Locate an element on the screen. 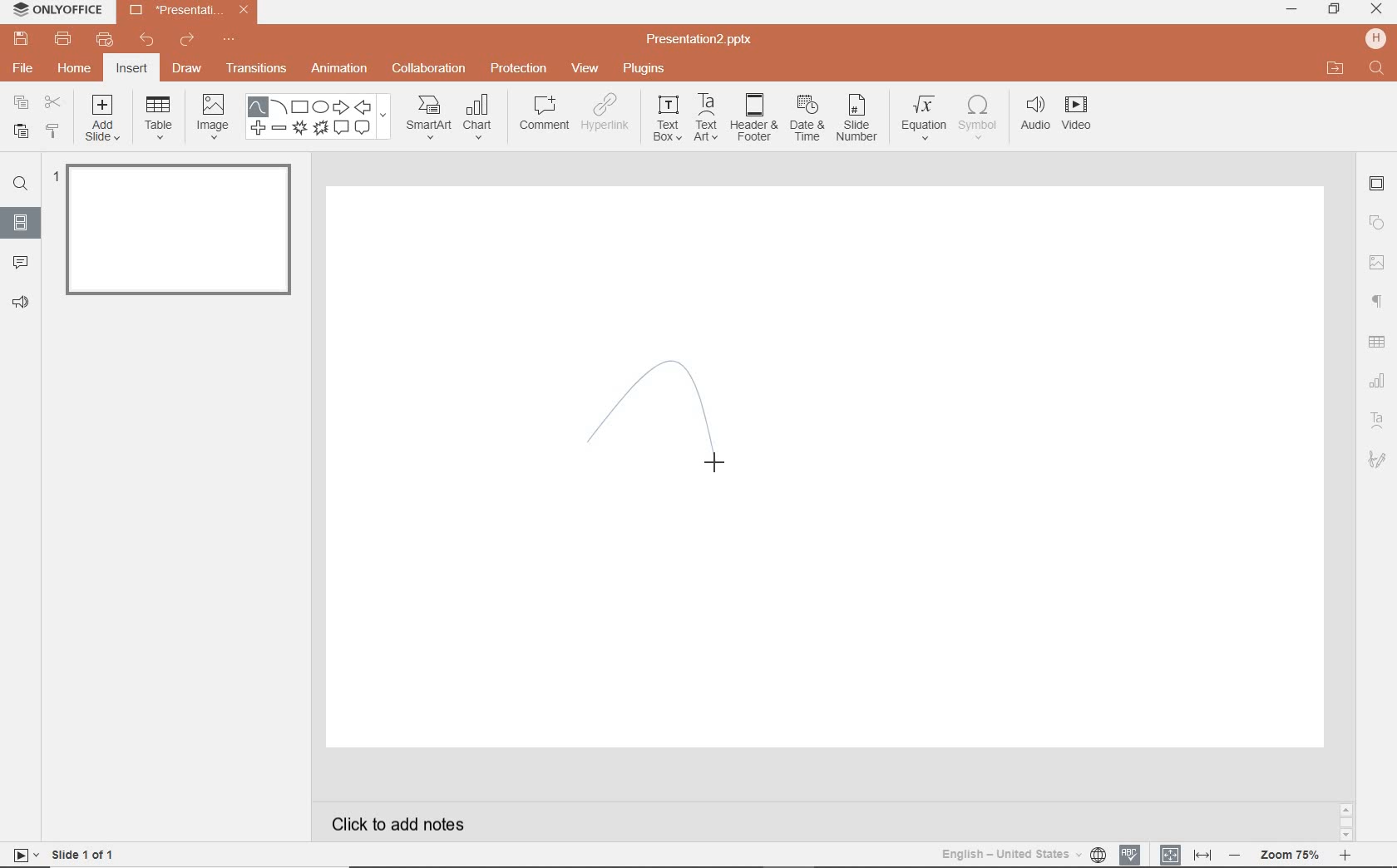 The image size is (1397, 868). FIT TO SLIDE / FIT TO WIDTH is located at coordinates (1186, 853).